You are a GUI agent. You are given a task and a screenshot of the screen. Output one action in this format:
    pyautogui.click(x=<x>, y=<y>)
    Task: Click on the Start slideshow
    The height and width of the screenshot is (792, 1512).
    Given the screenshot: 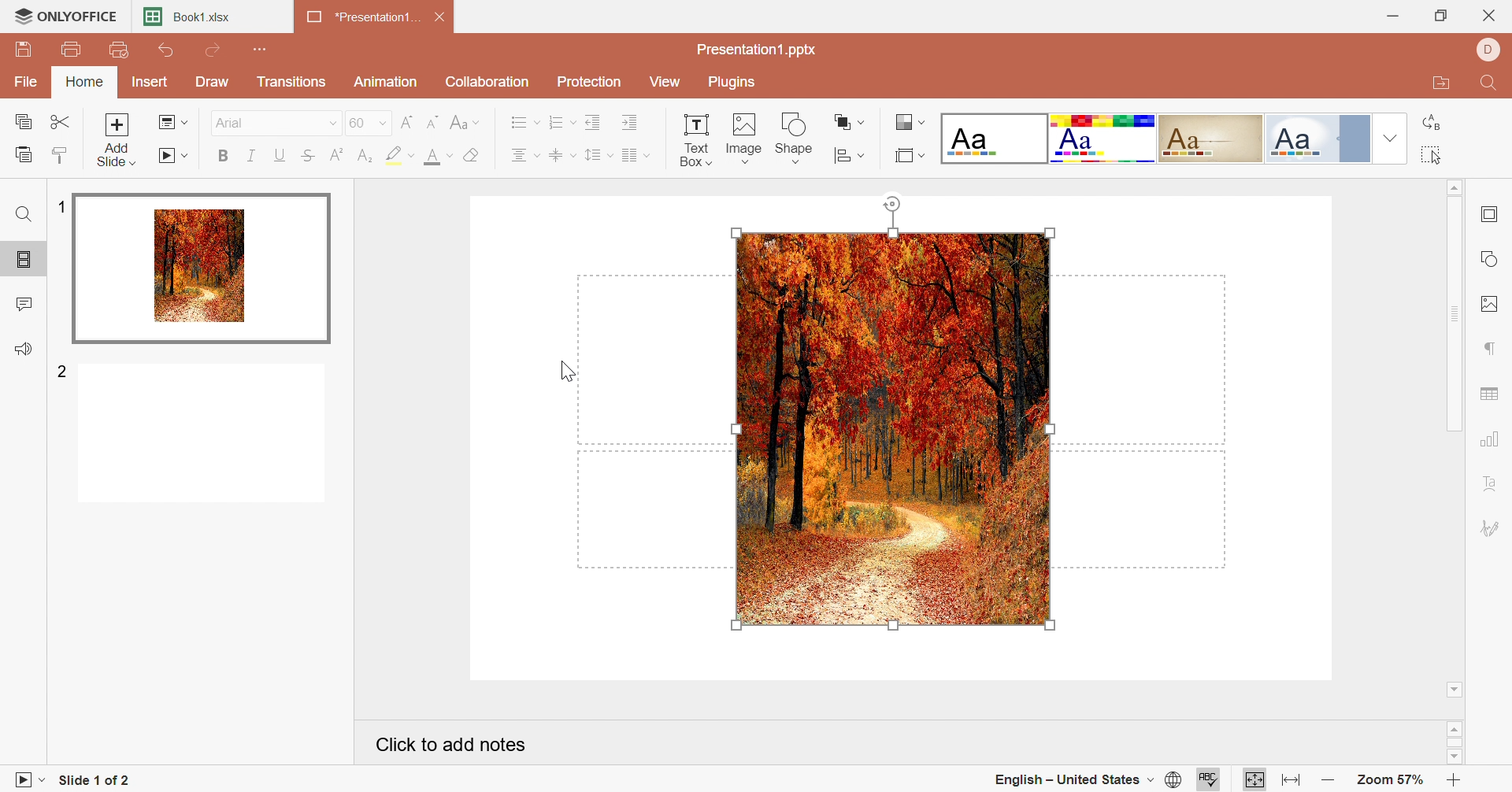 What is the action you would take?
    pyautogui.click(x=175, y=157)
    